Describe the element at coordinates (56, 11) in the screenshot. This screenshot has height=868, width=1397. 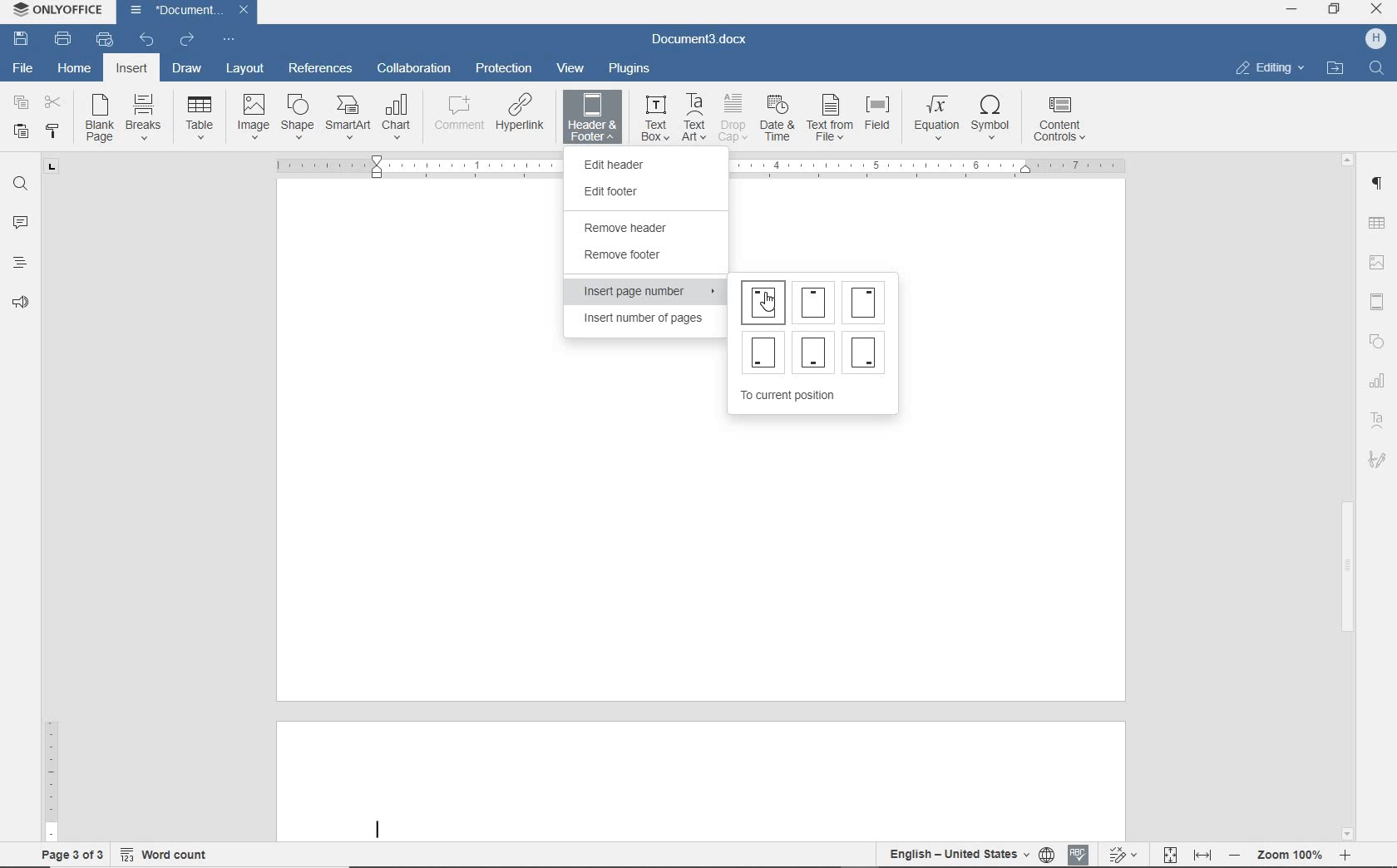
I see `OnlyOffice` at that location.